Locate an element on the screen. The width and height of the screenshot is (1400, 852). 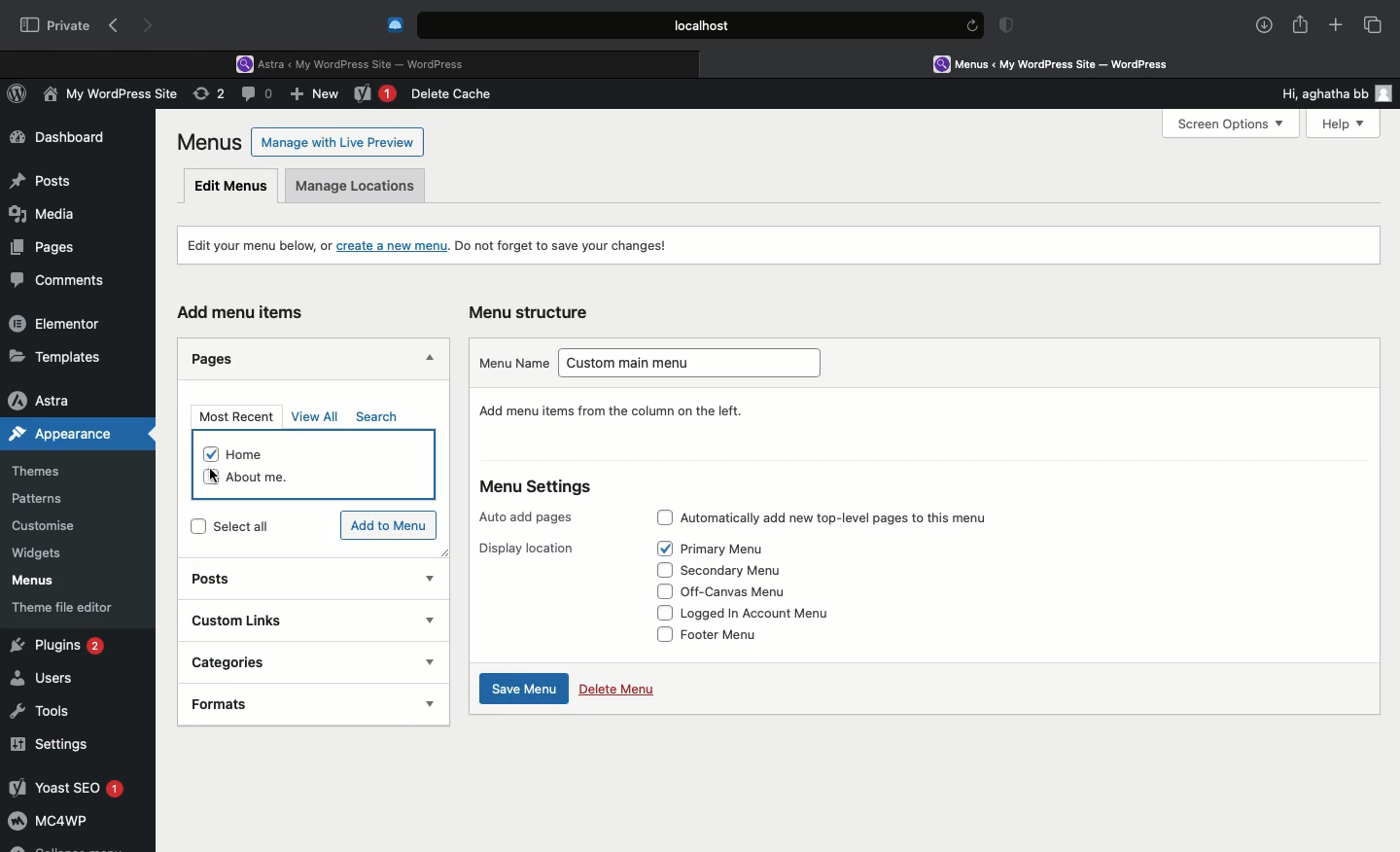
Secondary menu is located at coordinates (744, 570).